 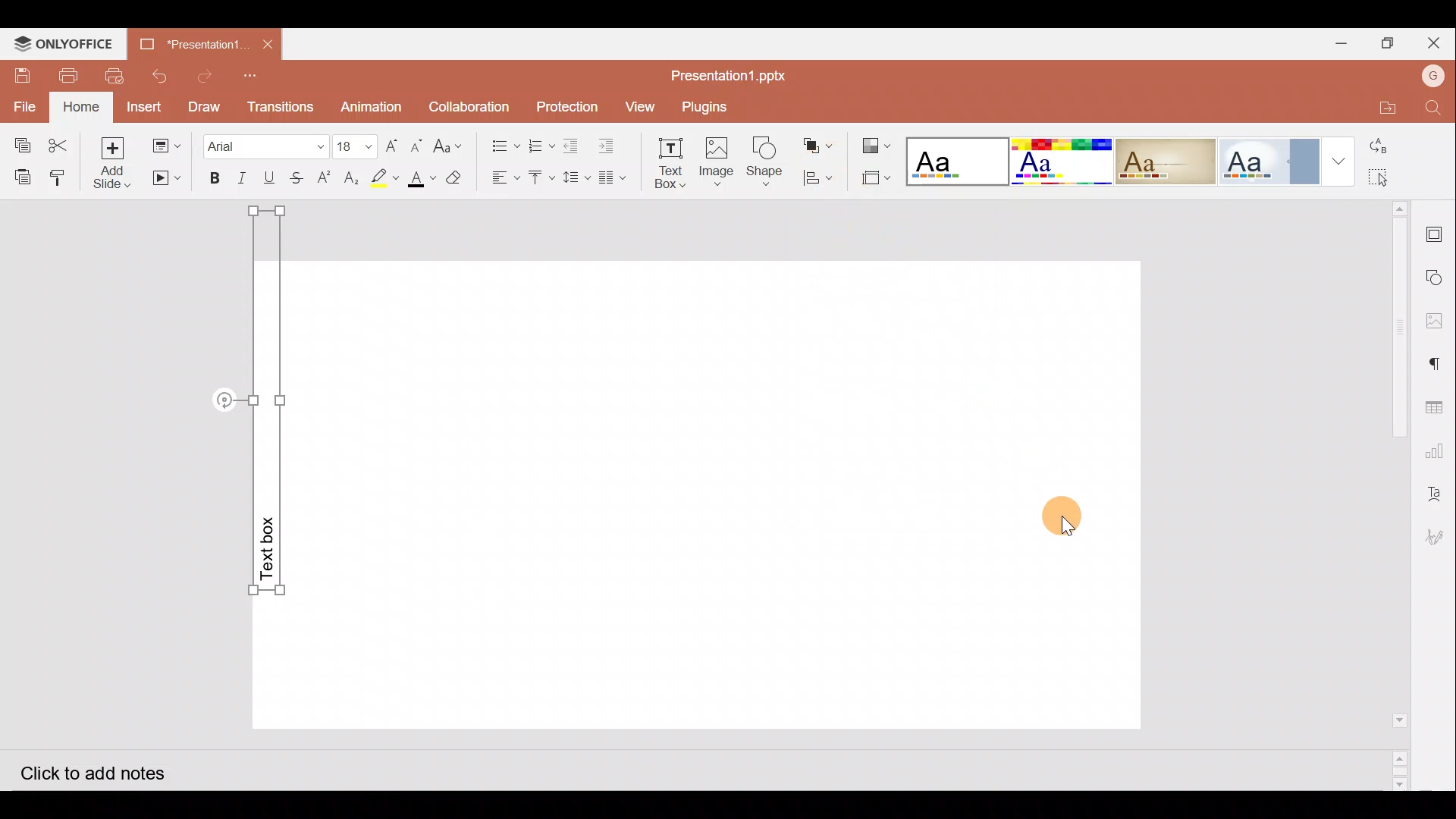 What do you see at coordinates (617, 175) in the screenshot?
I see `Insert columns` at bounding box center [617, 175].